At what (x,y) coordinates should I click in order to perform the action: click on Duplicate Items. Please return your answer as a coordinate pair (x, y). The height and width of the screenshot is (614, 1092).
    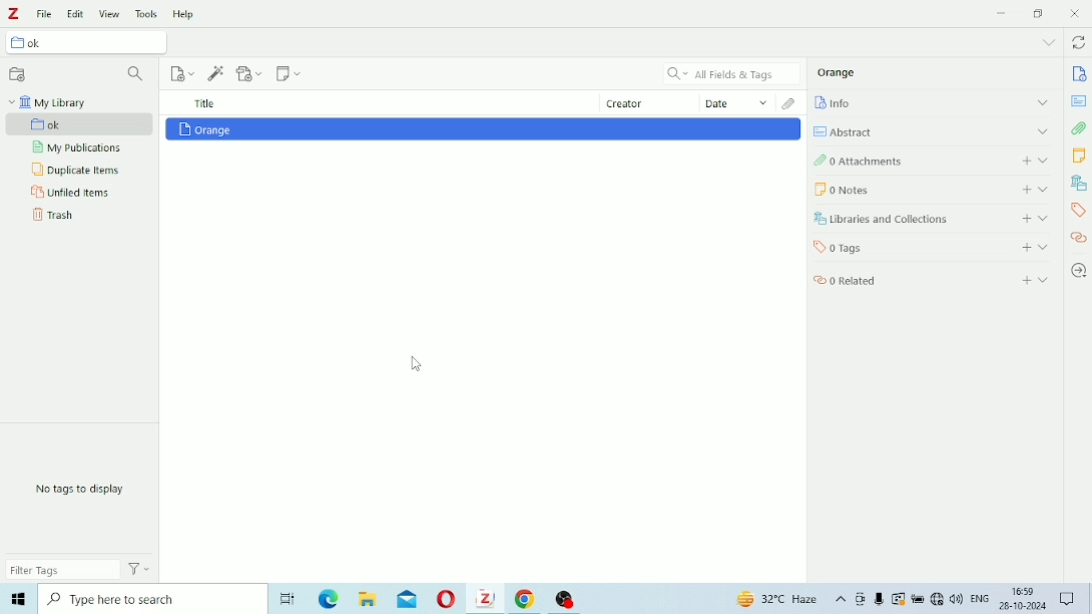
    Looking at the image, I should click on (78, 170).